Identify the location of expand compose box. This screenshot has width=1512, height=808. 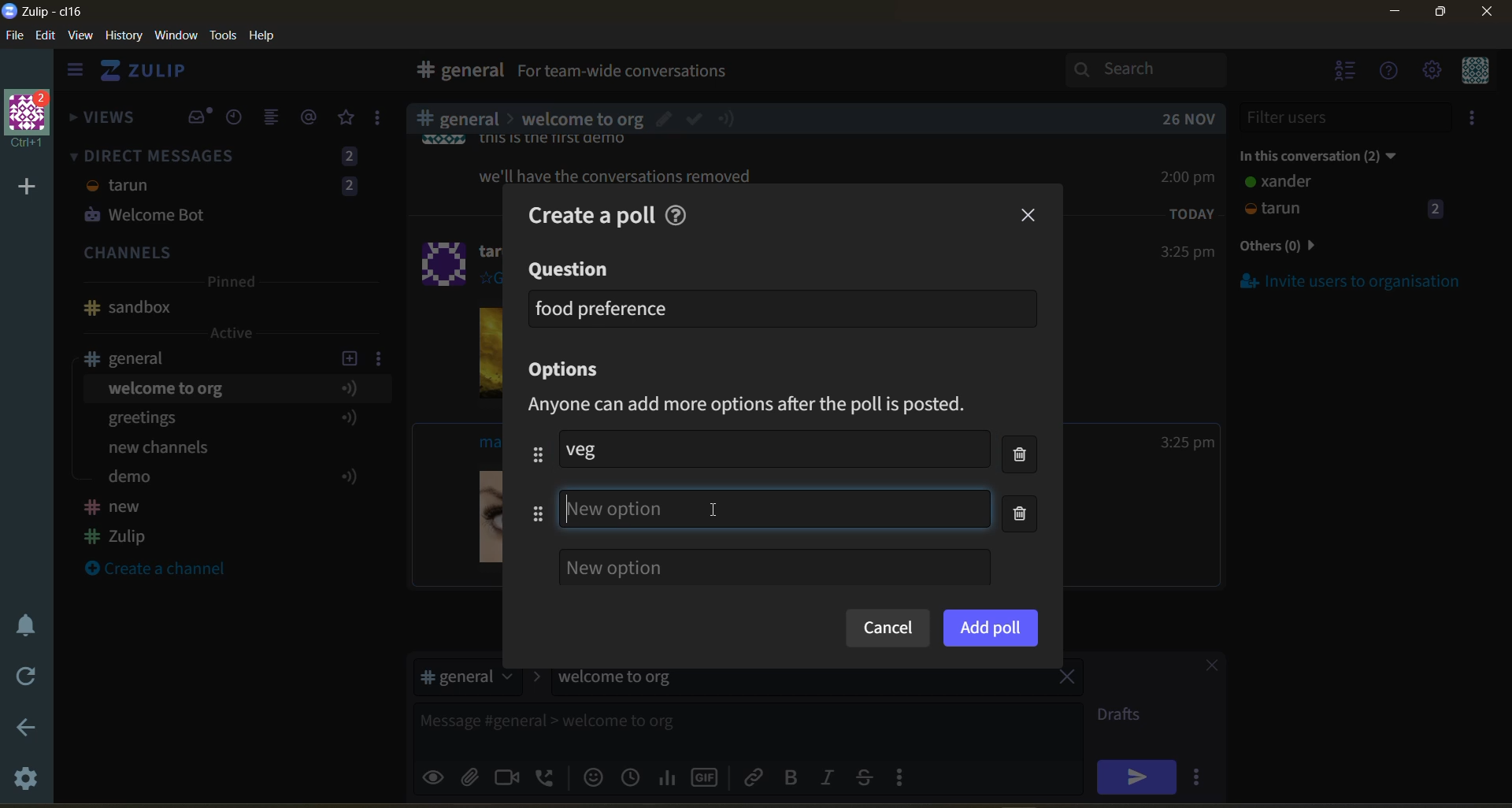
(1068, 715).